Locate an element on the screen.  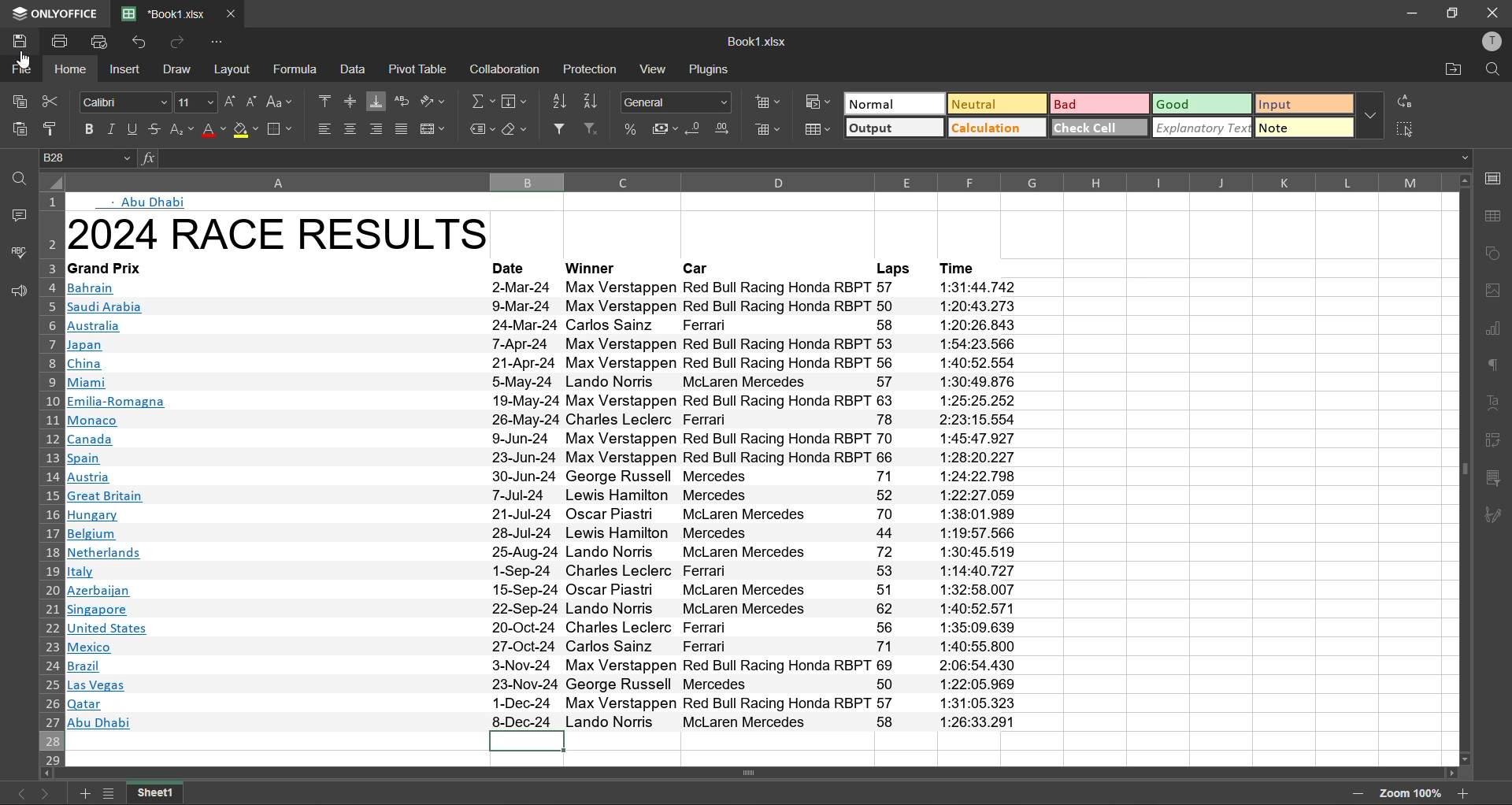
Azerbaijan 19-Sep-24 Oscar rFiastn McLaren Mercedes 21 1:32:98.007 is located at coordinates (544, 591).